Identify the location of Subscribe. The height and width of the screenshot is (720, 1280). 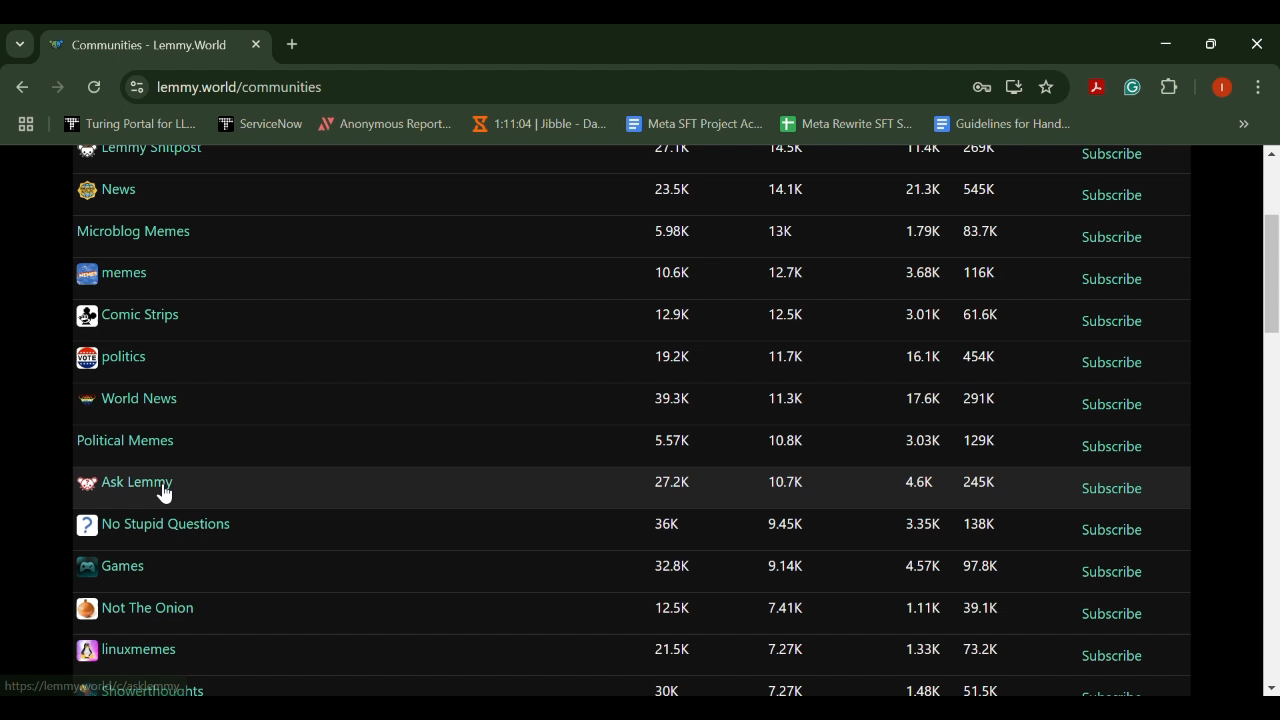
(1109, 197).